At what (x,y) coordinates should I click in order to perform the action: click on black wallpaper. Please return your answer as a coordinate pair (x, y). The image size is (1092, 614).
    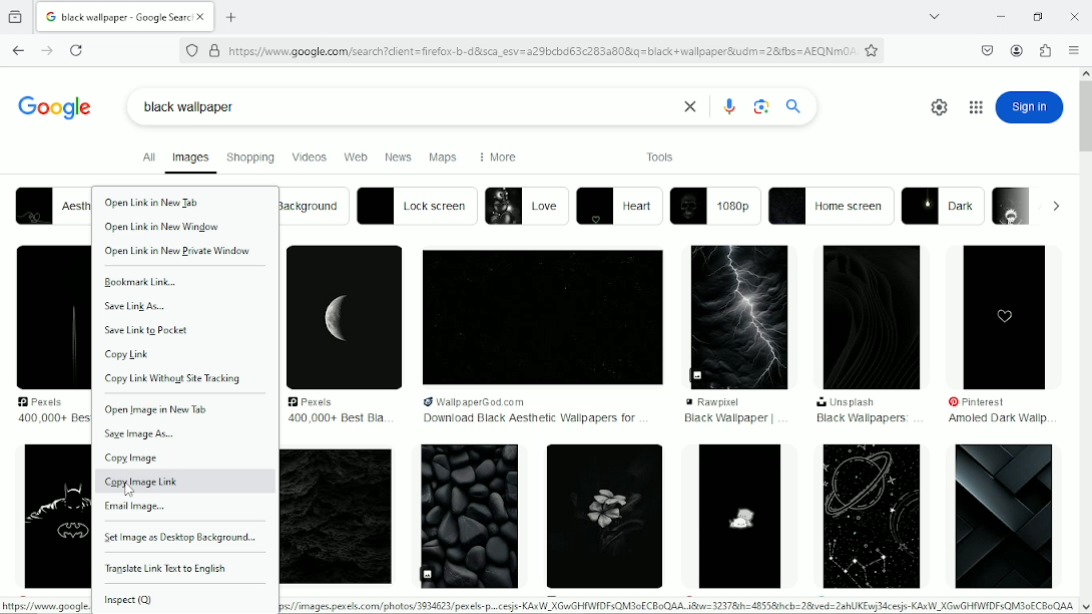
    Looking at the image, I should click on (190, 107).